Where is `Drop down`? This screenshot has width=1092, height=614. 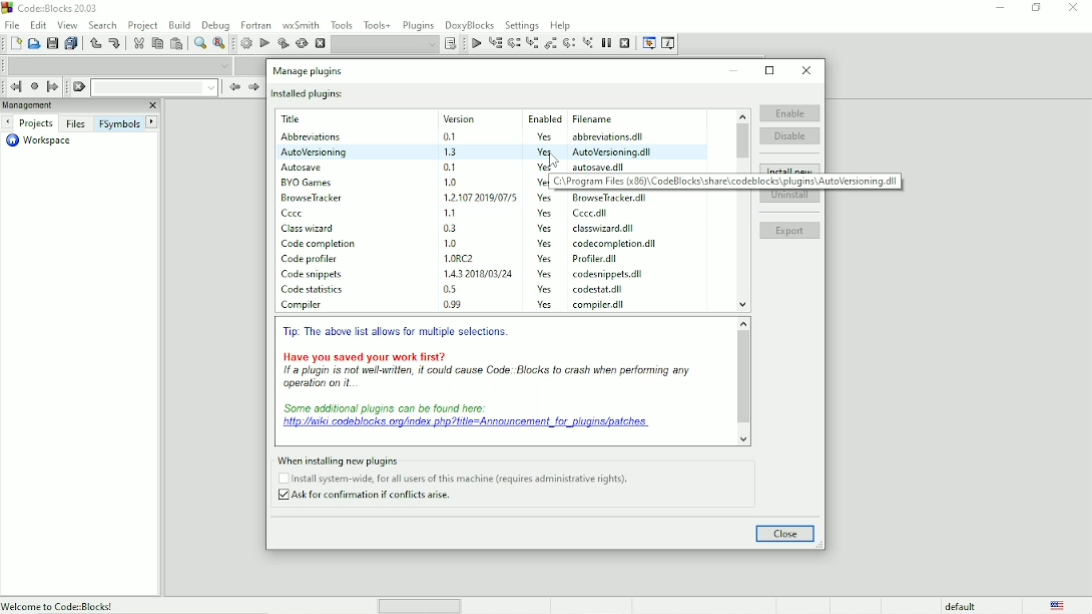 Drop down is located at coordinates (385, 44).